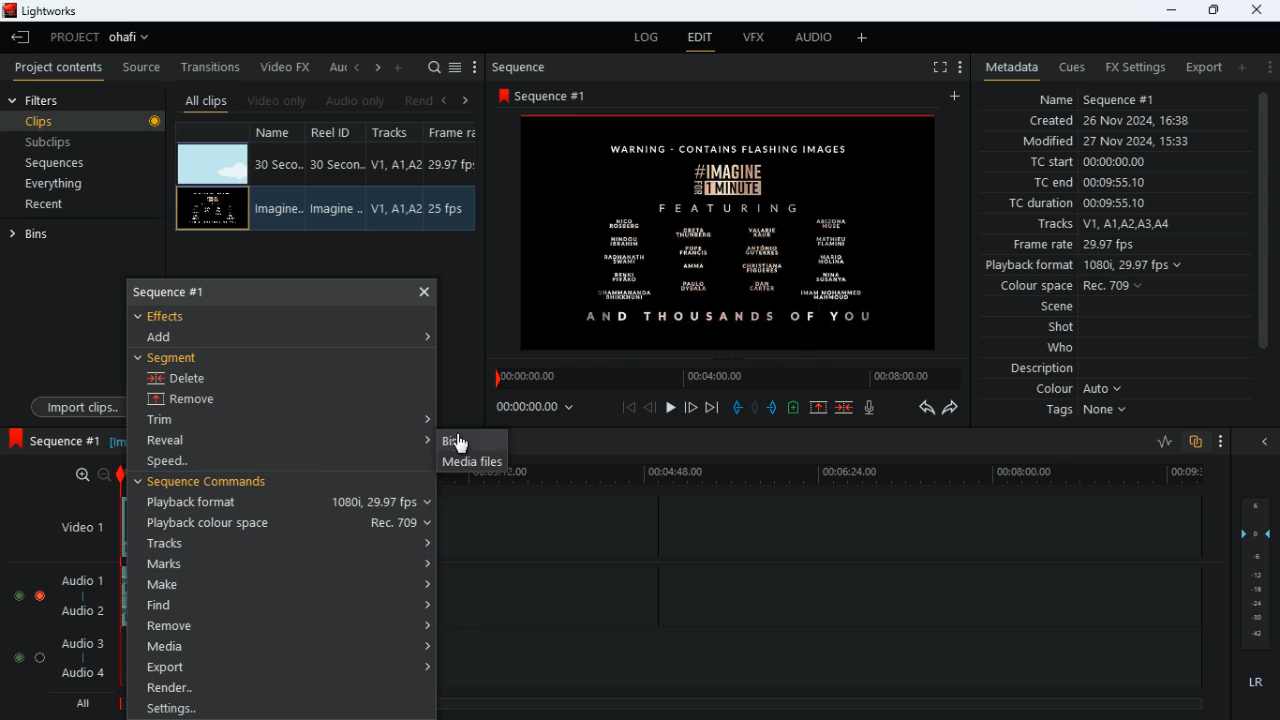 This screenshot has height=720, width=1280. Describe the element at coordinates (394, 134) in the screenshot. I see `tracks` at that location.